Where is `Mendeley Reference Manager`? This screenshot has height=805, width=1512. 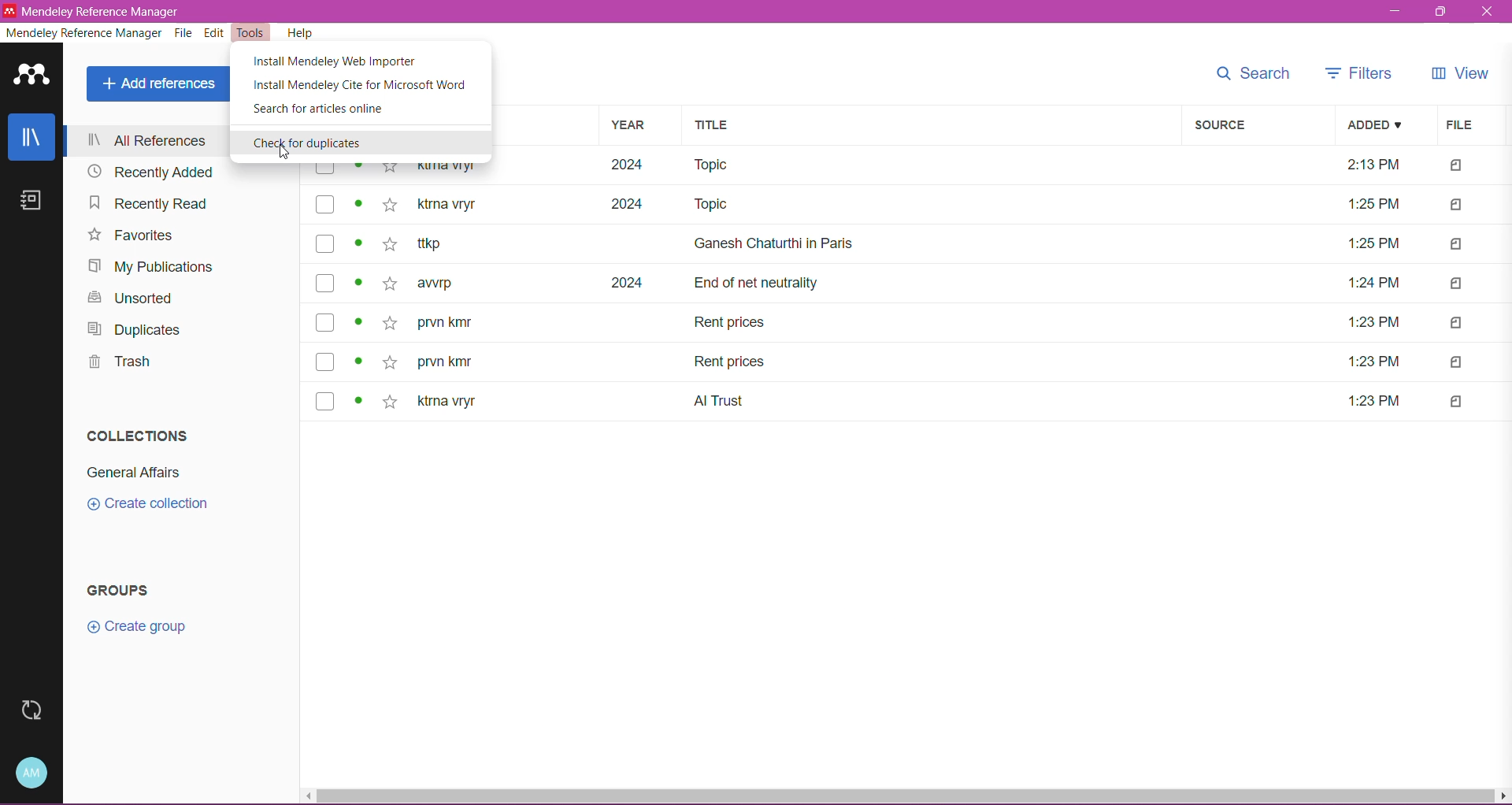
Mendeley Reference Manager is located at coordinates (83, 35).